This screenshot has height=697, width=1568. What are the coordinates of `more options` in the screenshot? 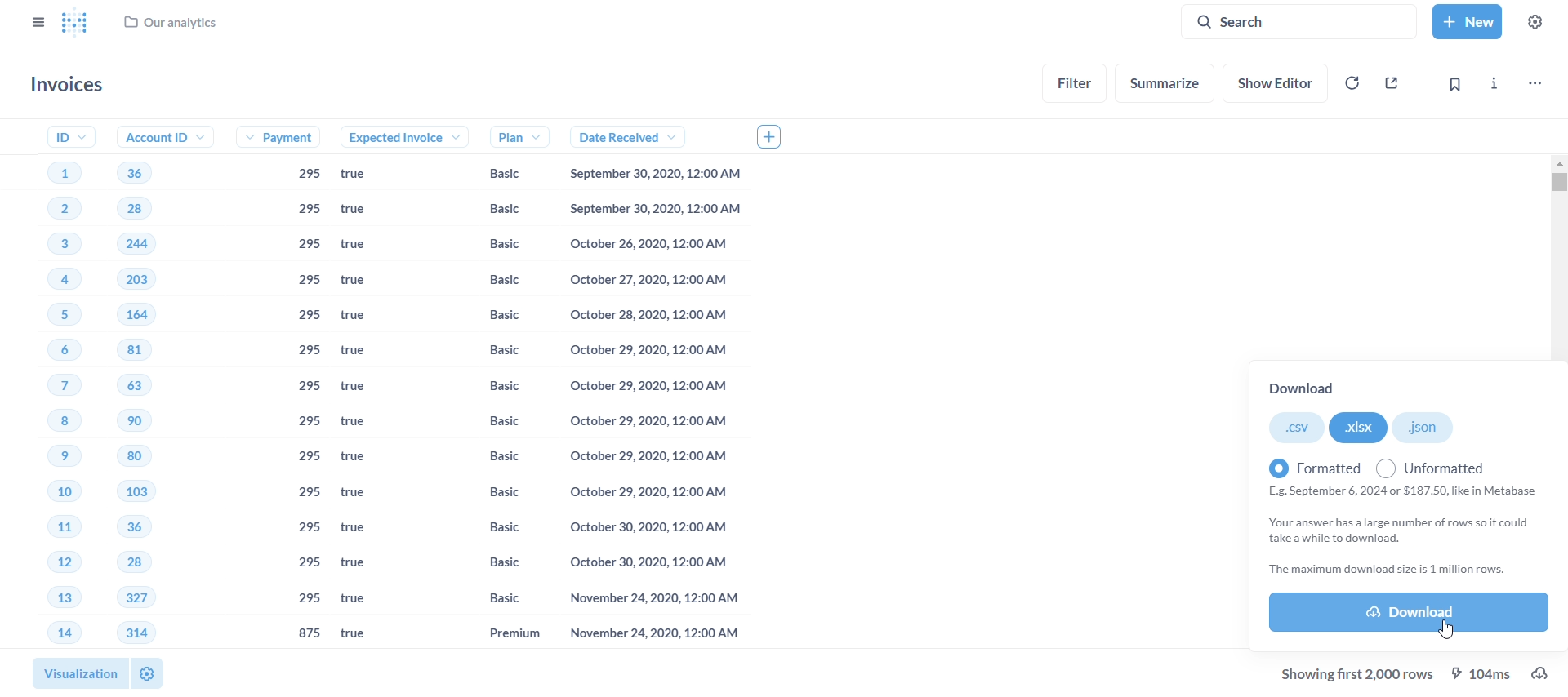 It's located at (1534, 81).